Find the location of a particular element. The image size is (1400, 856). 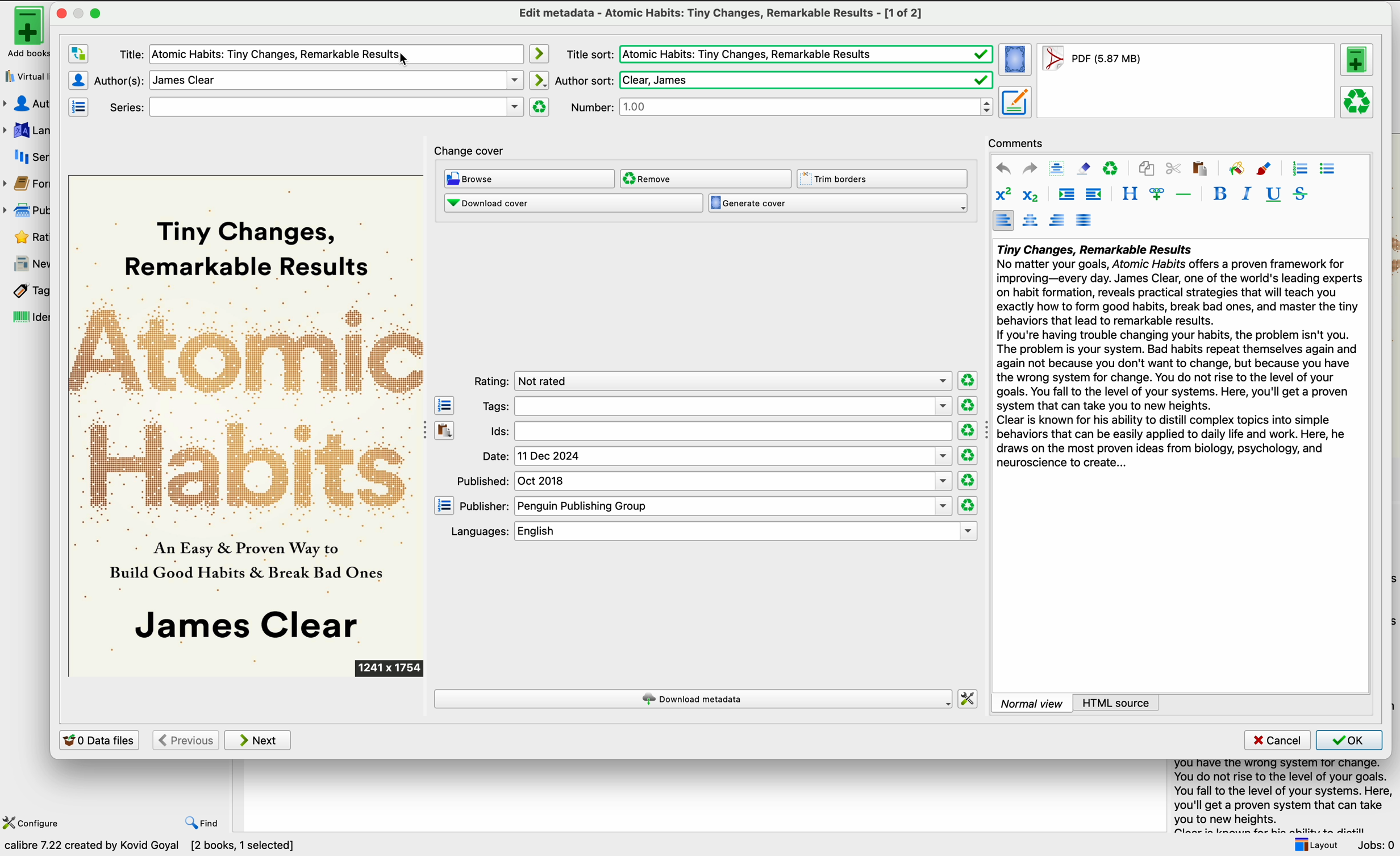

author(s) is located at coordinates (310, 81).